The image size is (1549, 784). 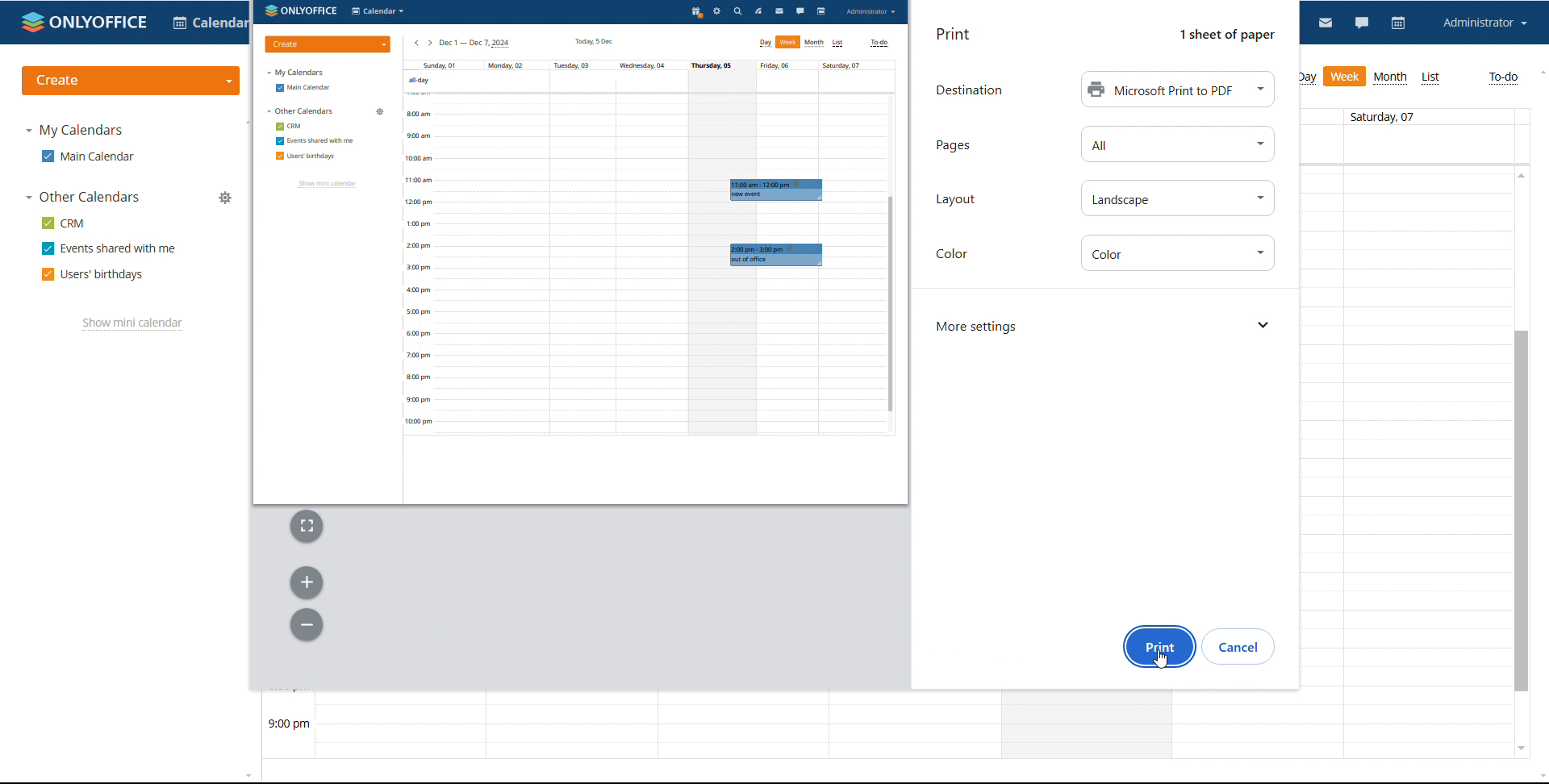 I want to click on days, so click(x=1409, y=117).